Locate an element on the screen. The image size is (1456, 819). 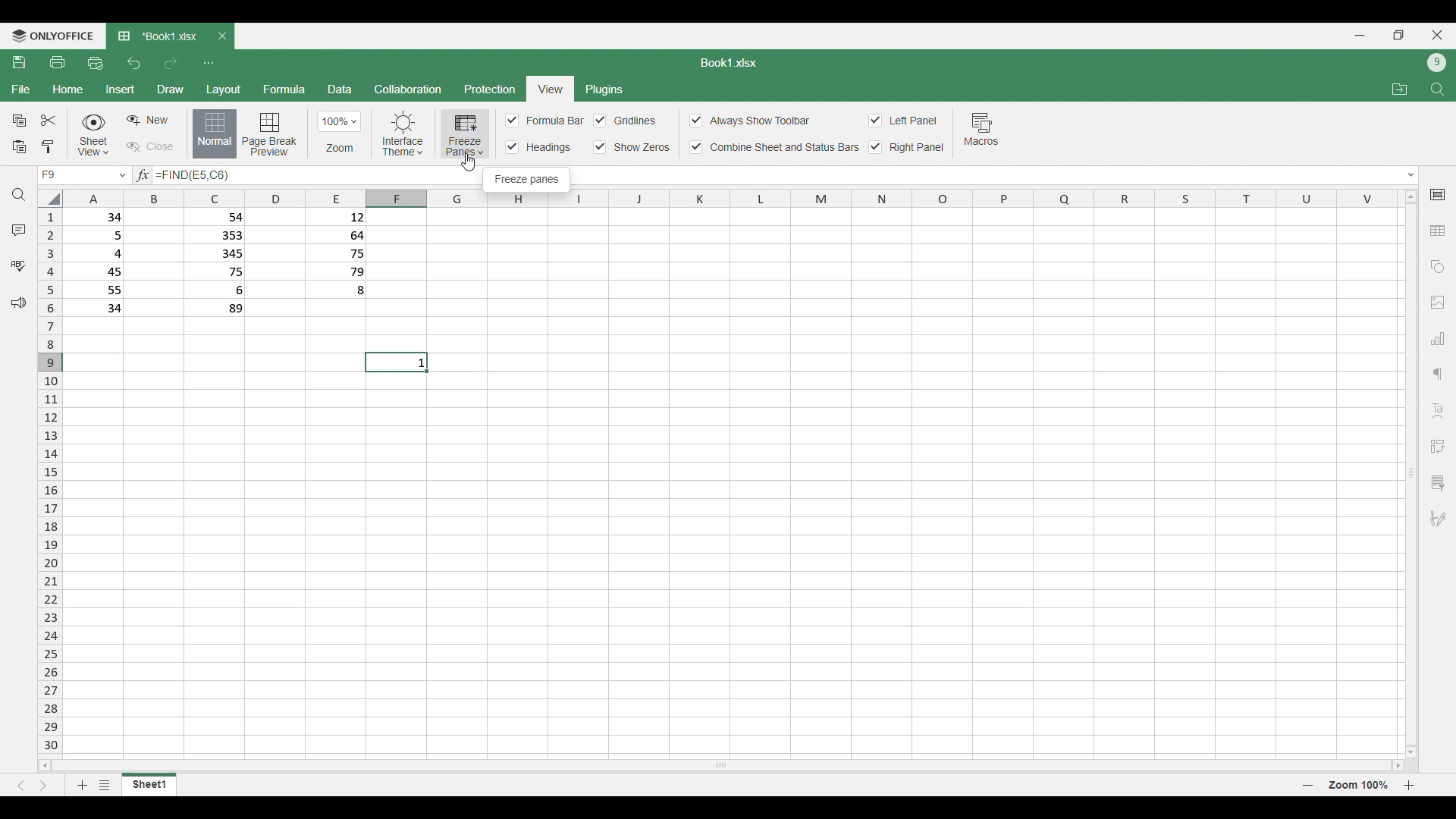
Paragraph settings is located at coordinates (1438, 375).